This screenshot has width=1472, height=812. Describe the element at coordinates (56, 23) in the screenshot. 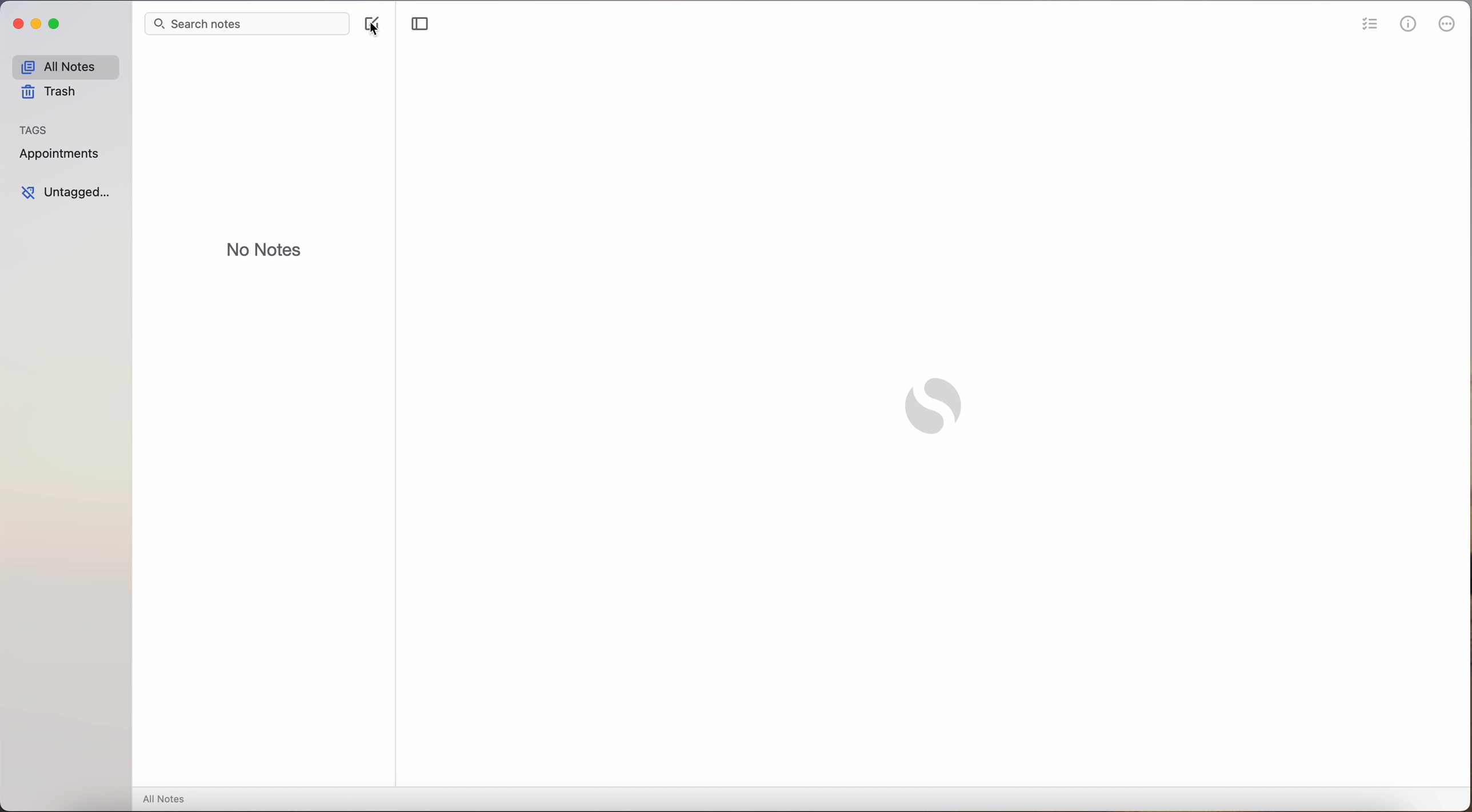

I see `maximize` at that location.